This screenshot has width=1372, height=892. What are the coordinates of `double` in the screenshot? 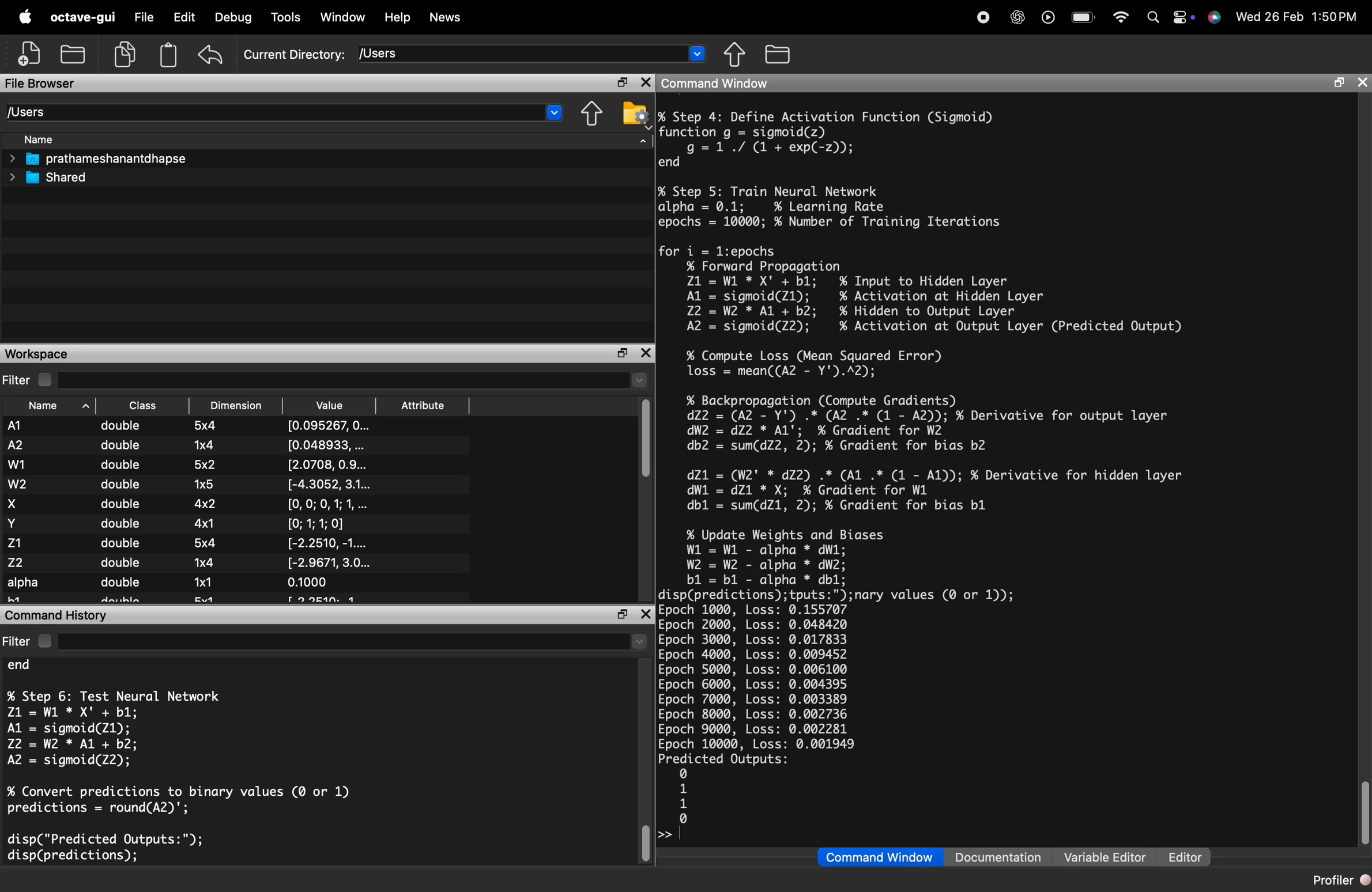 It's located at (122, 543).